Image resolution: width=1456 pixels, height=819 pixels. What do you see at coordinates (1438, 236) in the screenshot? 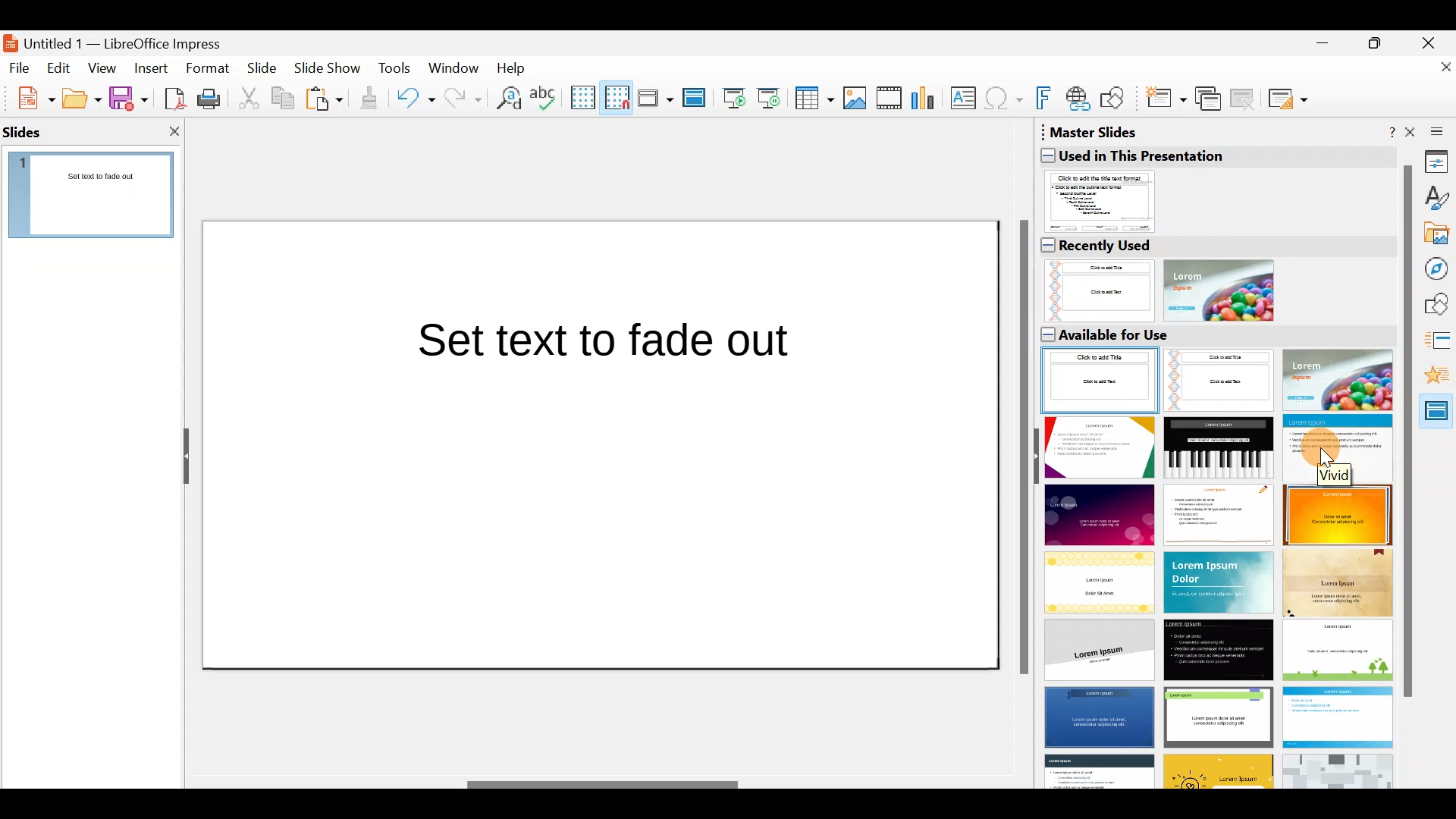
I see `Gallery` at bounding box center [1438, 236].